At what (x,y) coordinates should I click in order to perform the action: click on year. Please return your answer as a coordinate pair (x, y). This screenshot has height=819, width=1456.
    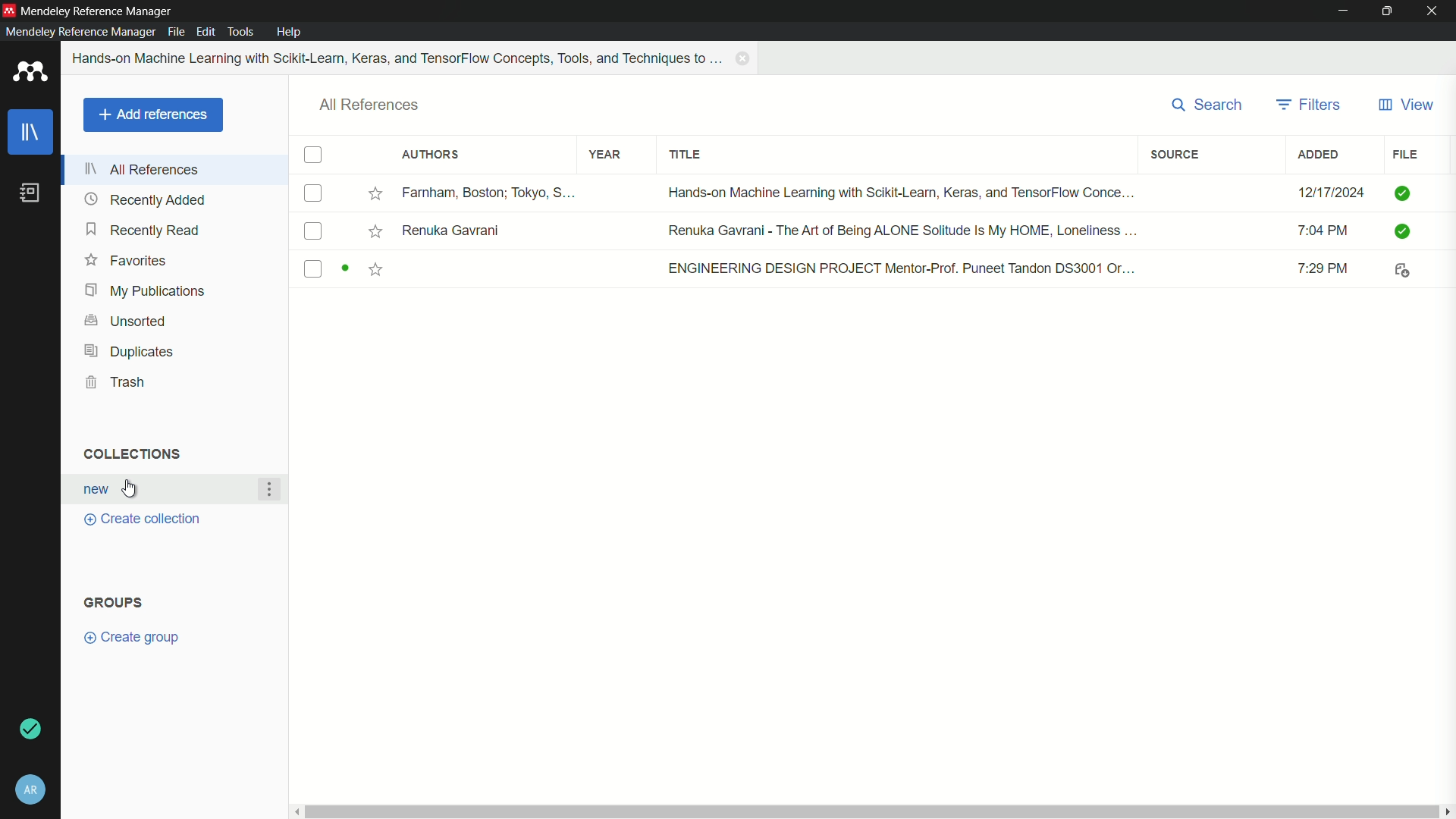
    Looking at the image, I should click on (606, 155).